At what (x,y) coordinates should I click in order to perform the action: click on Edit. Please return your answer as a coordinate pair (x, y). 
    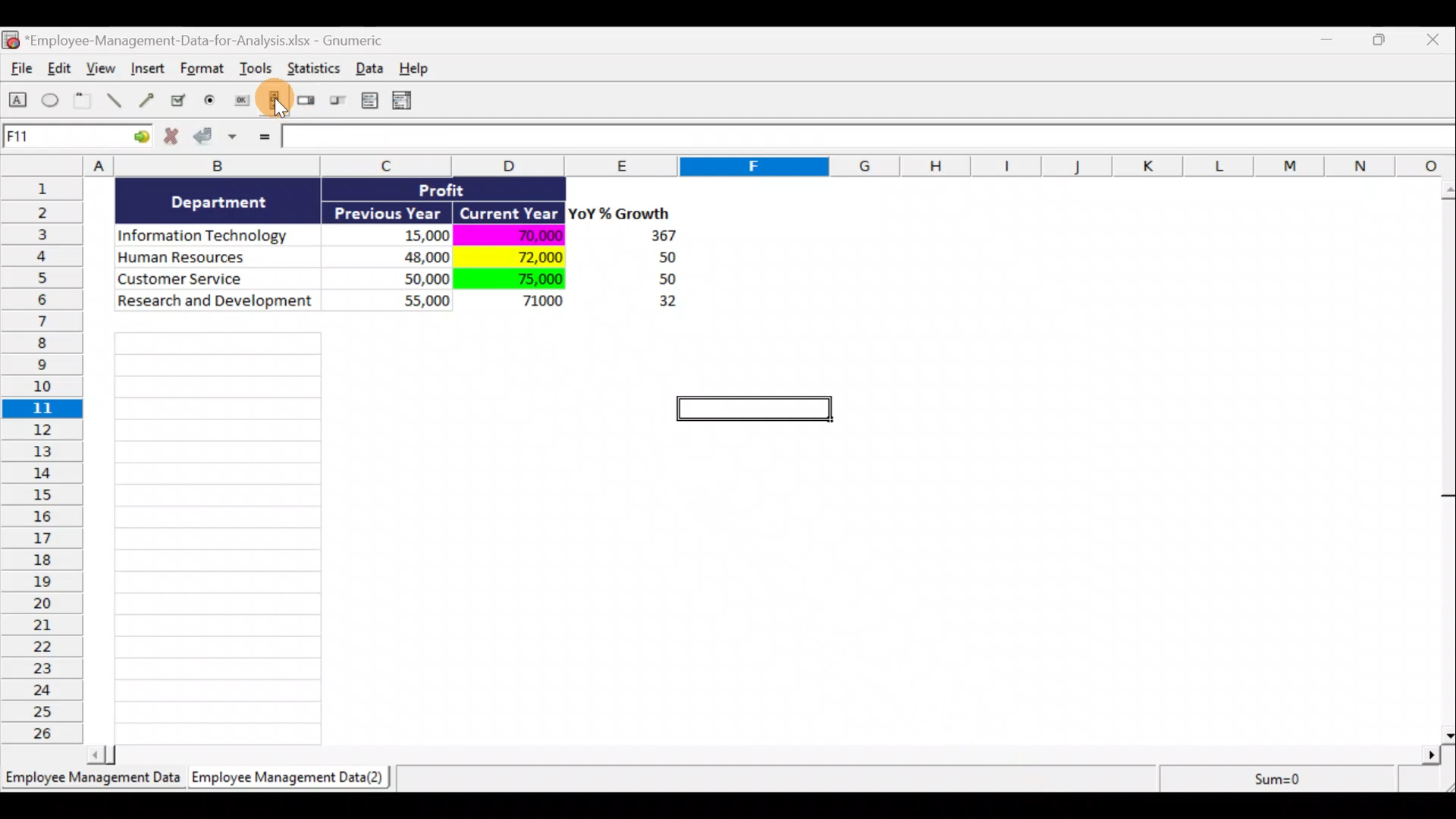
    Looking at the image, I should click on (61, 70).